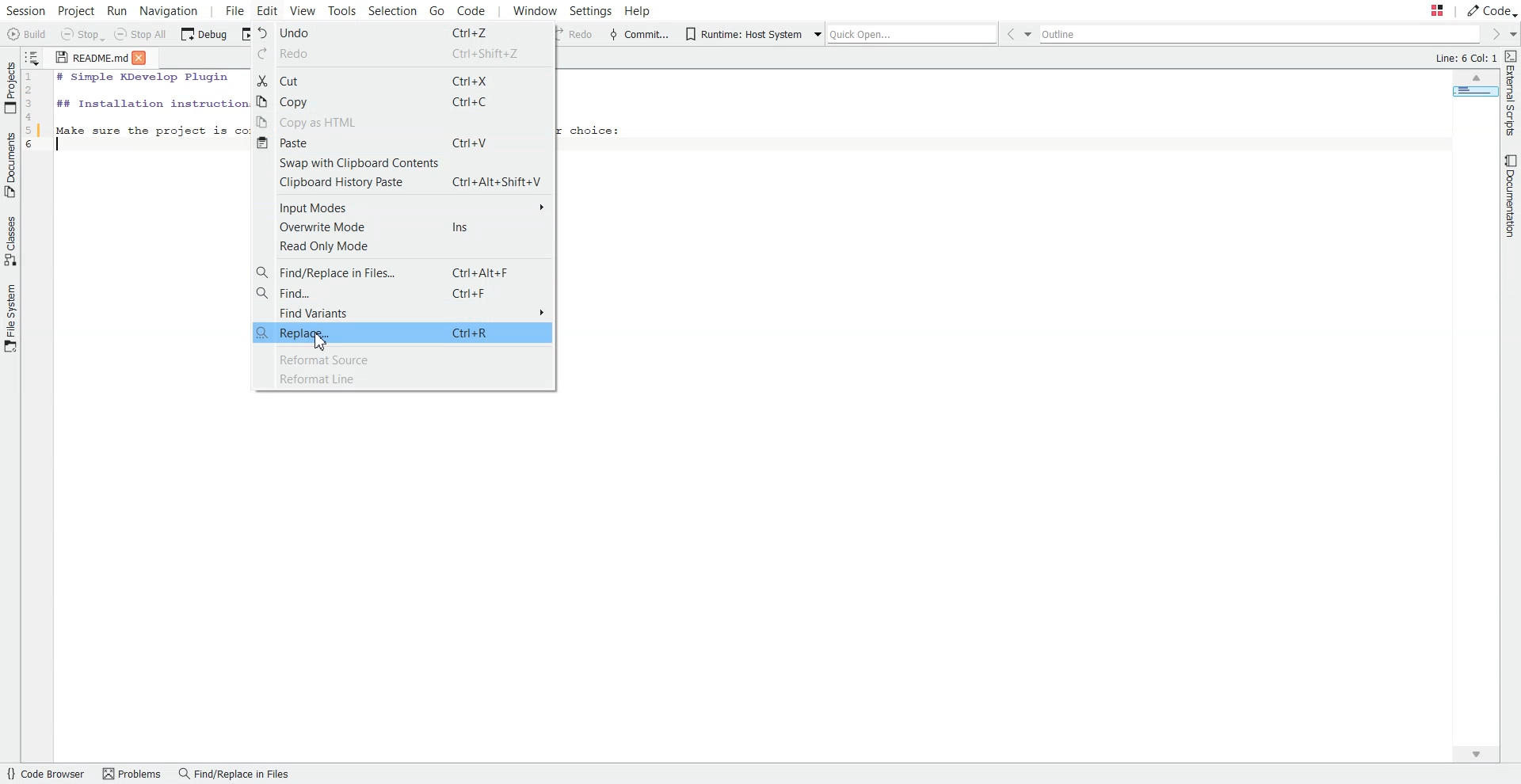  I want to click on Quick Open, so click(902, 32).